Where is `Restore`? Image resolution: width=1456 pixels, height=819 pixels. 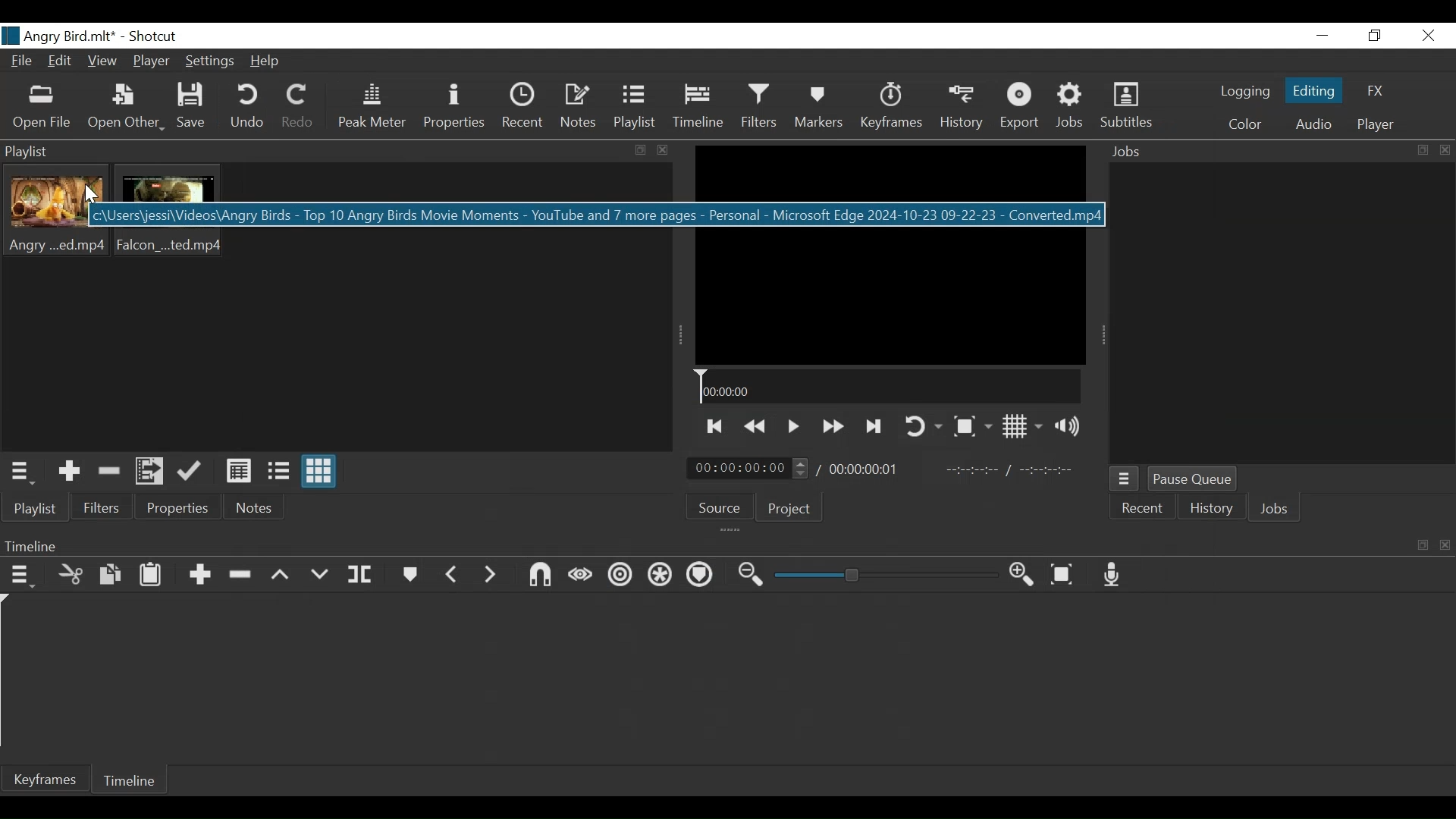 Restore is located at coordinates (1372, 36).